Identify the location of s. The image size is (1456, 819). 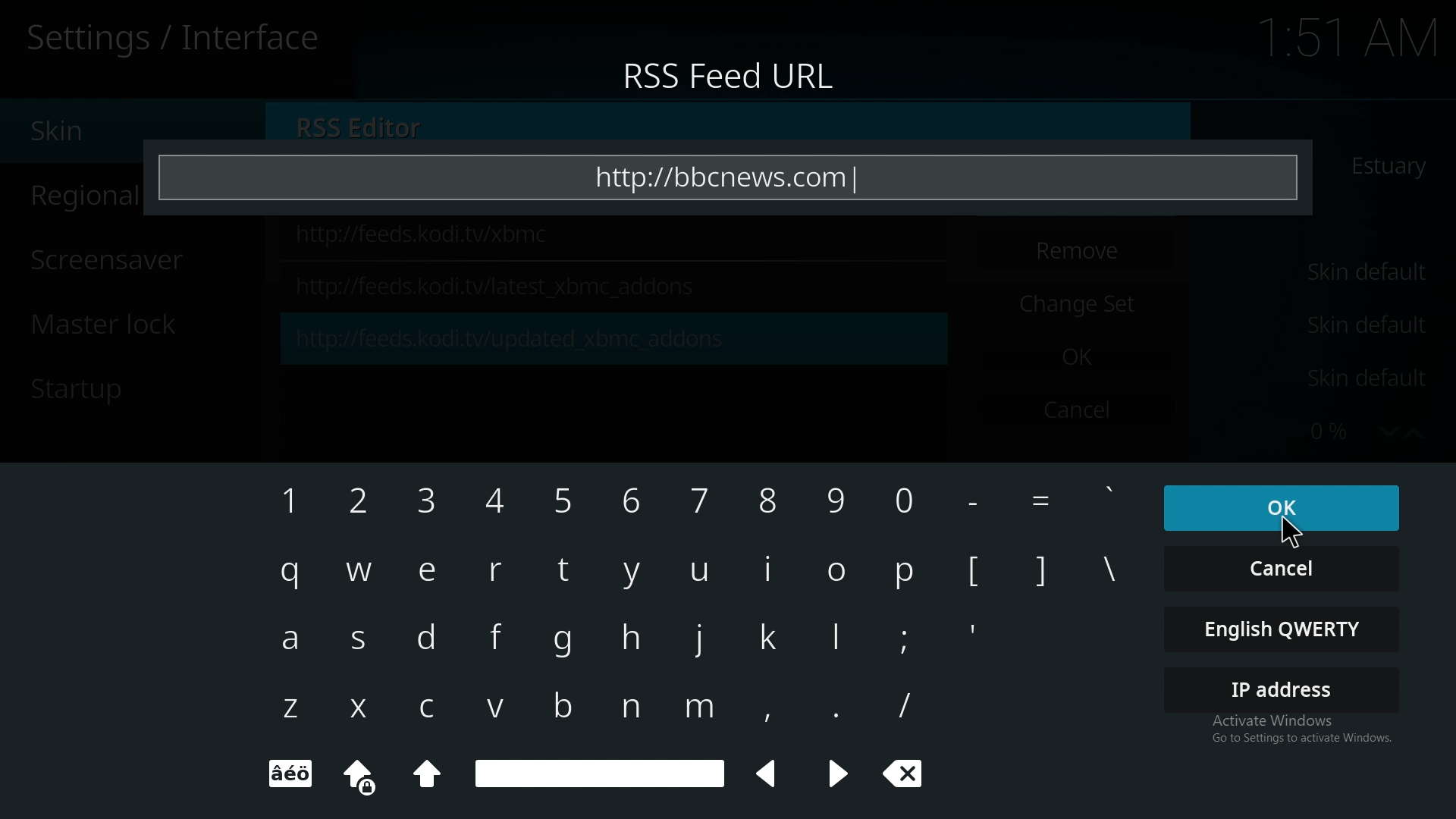
(359, 642).